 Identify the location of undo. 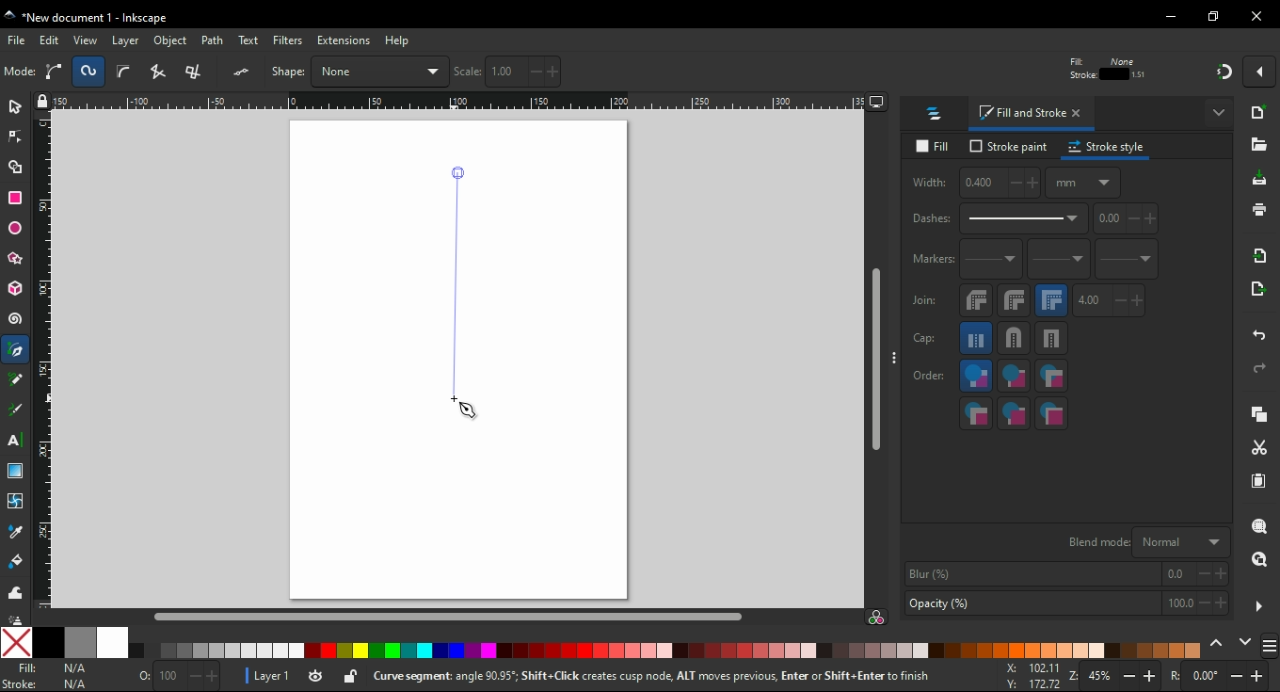
(1261, 332).